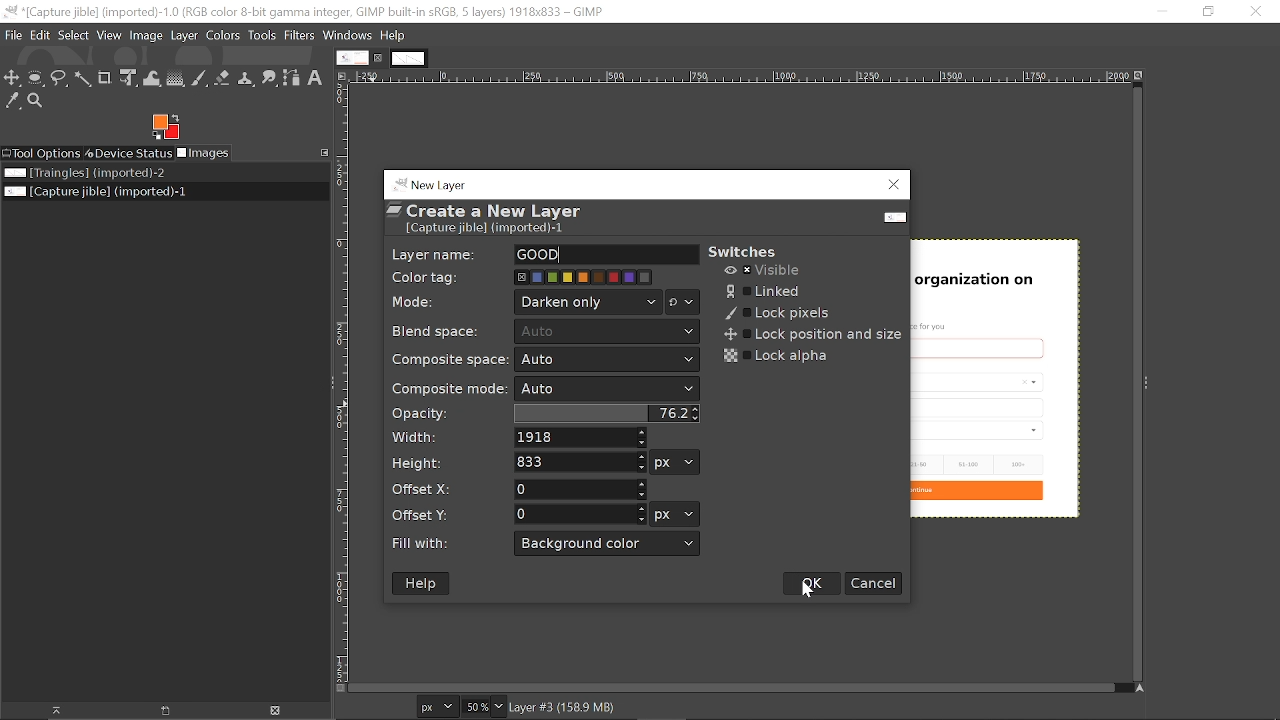 The height and width of the screenshot is (720, 1280). I want to click on Other tab, so click(408, 59).